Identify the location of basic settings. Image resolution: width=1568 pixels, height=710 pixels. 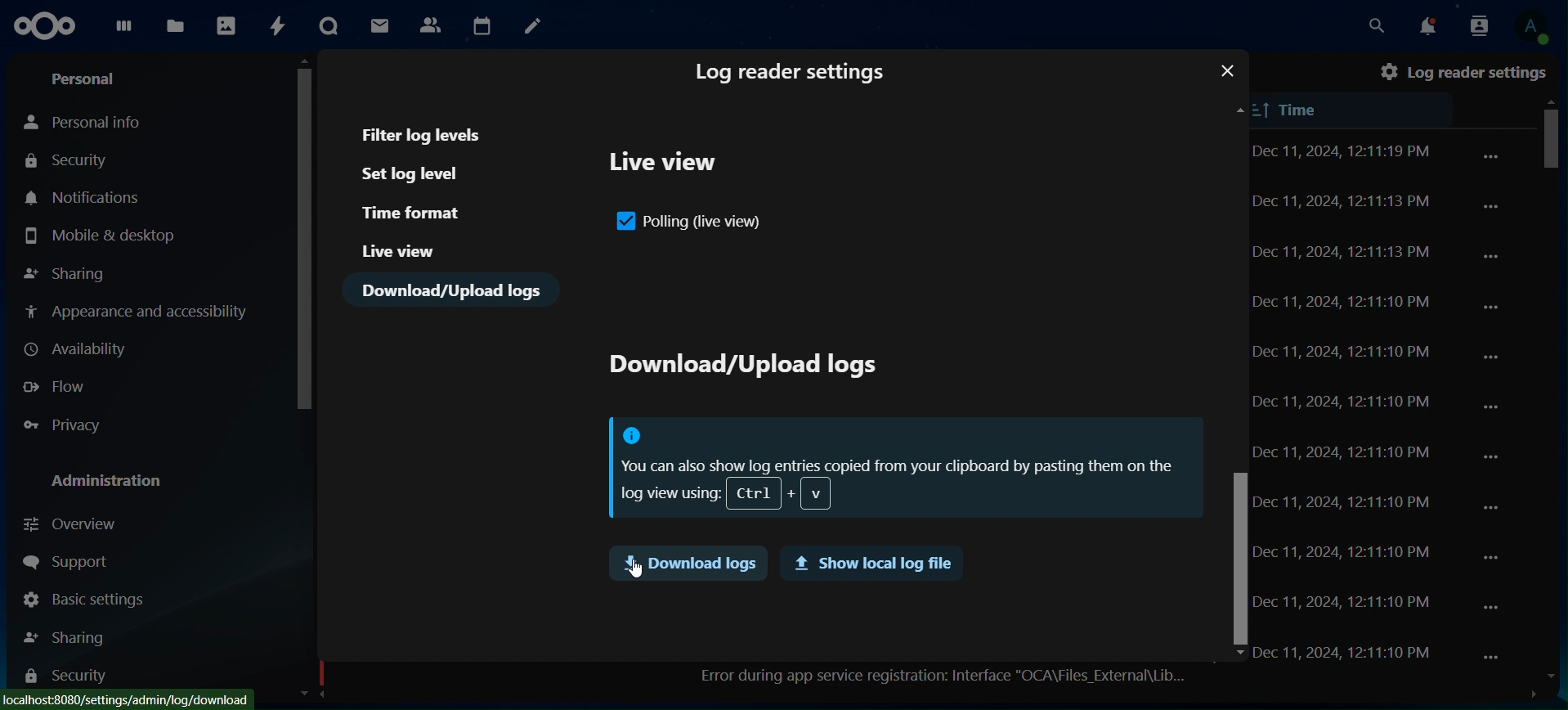
(85, 600).